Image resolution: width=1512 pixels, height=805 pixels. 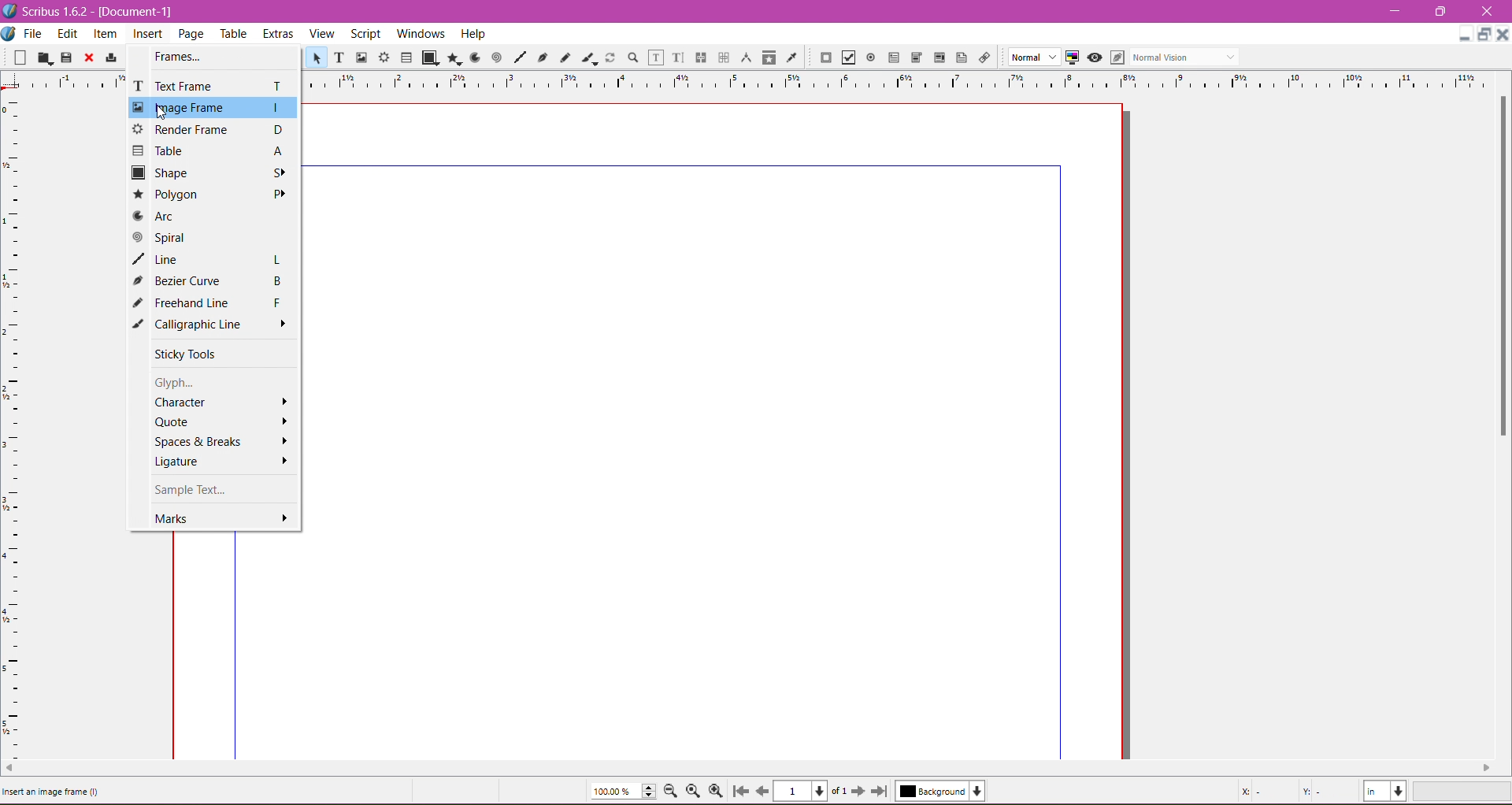 What do you see at coordinates (791, 57) in the screenshot?
I see `Eye Dropper` at bounding box center [791, 57].